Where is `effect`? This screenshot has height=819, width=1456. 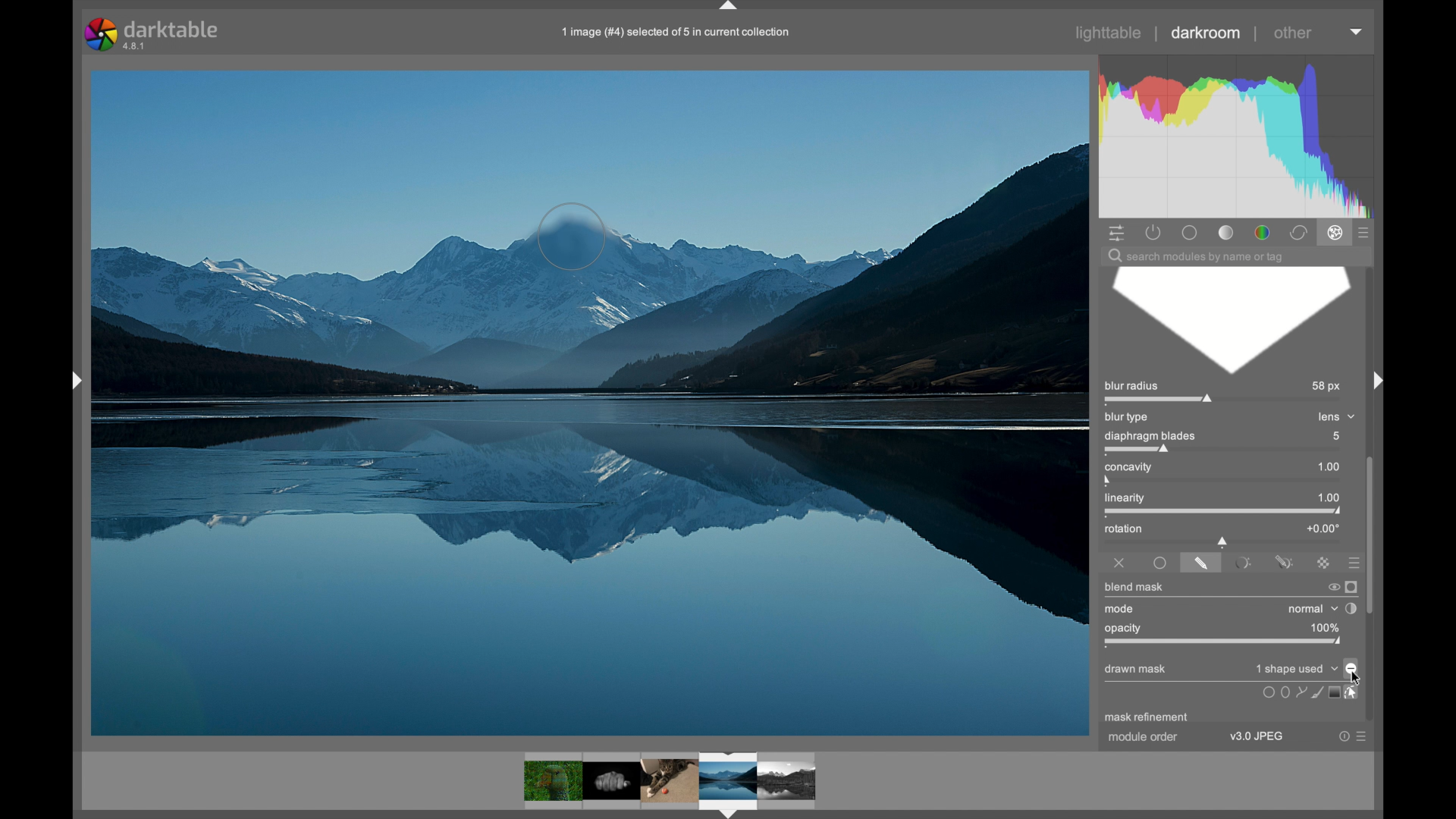
effect is located at coordinates (1335, 234).